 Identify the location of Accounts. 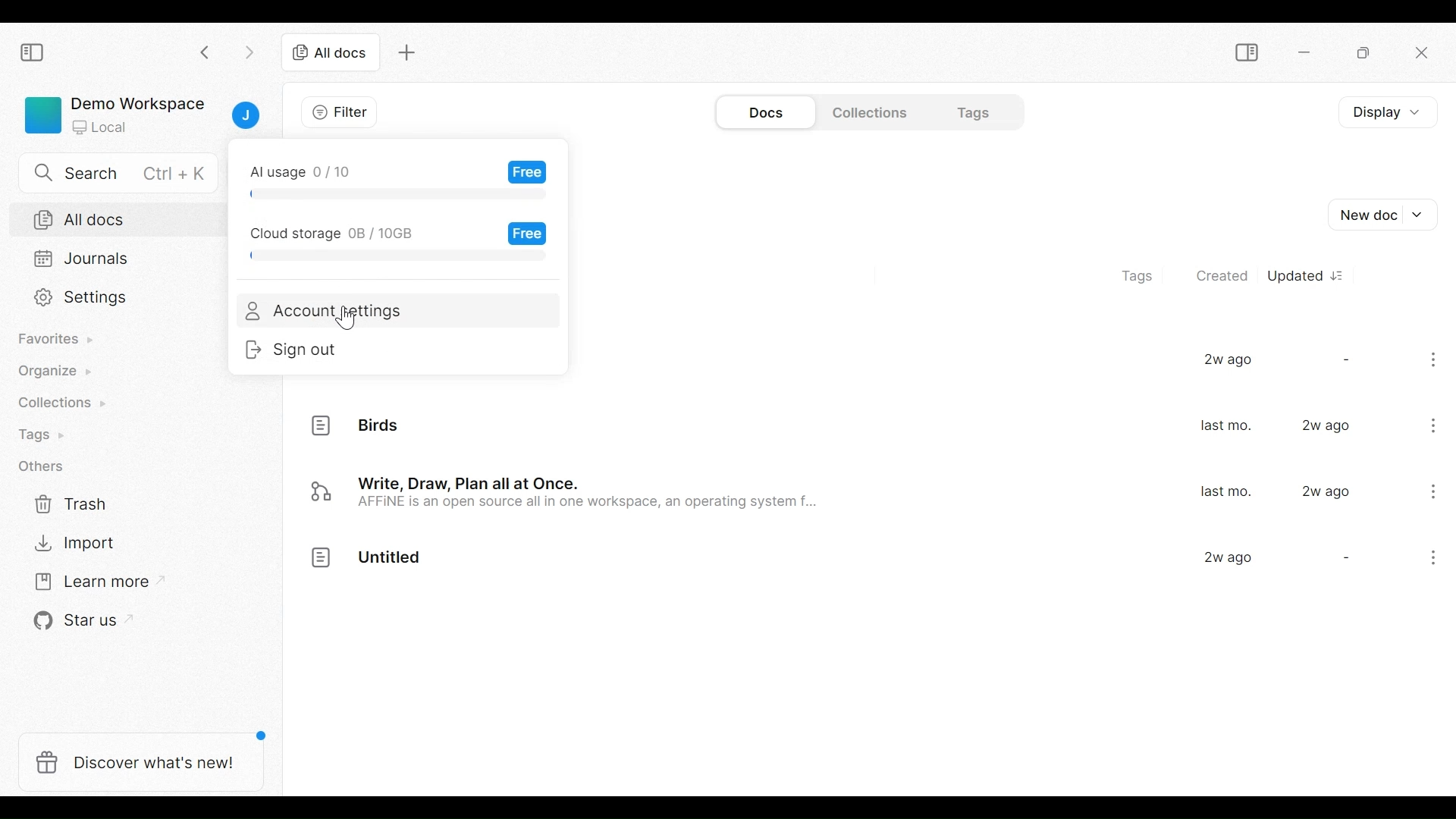
(245, 116).